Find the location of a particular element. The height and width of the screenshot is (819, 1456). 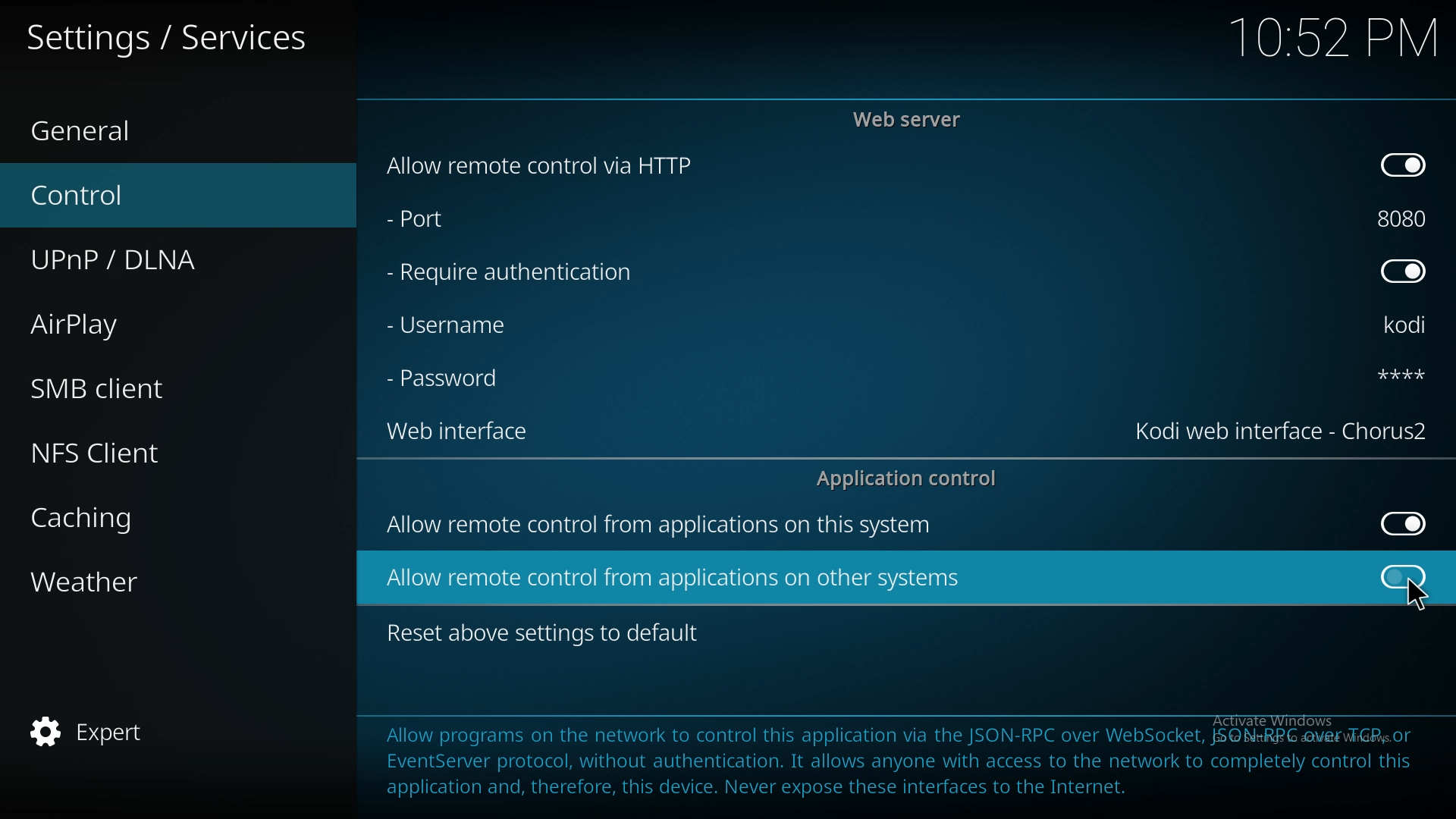

password is located at coordinates (449, 380).